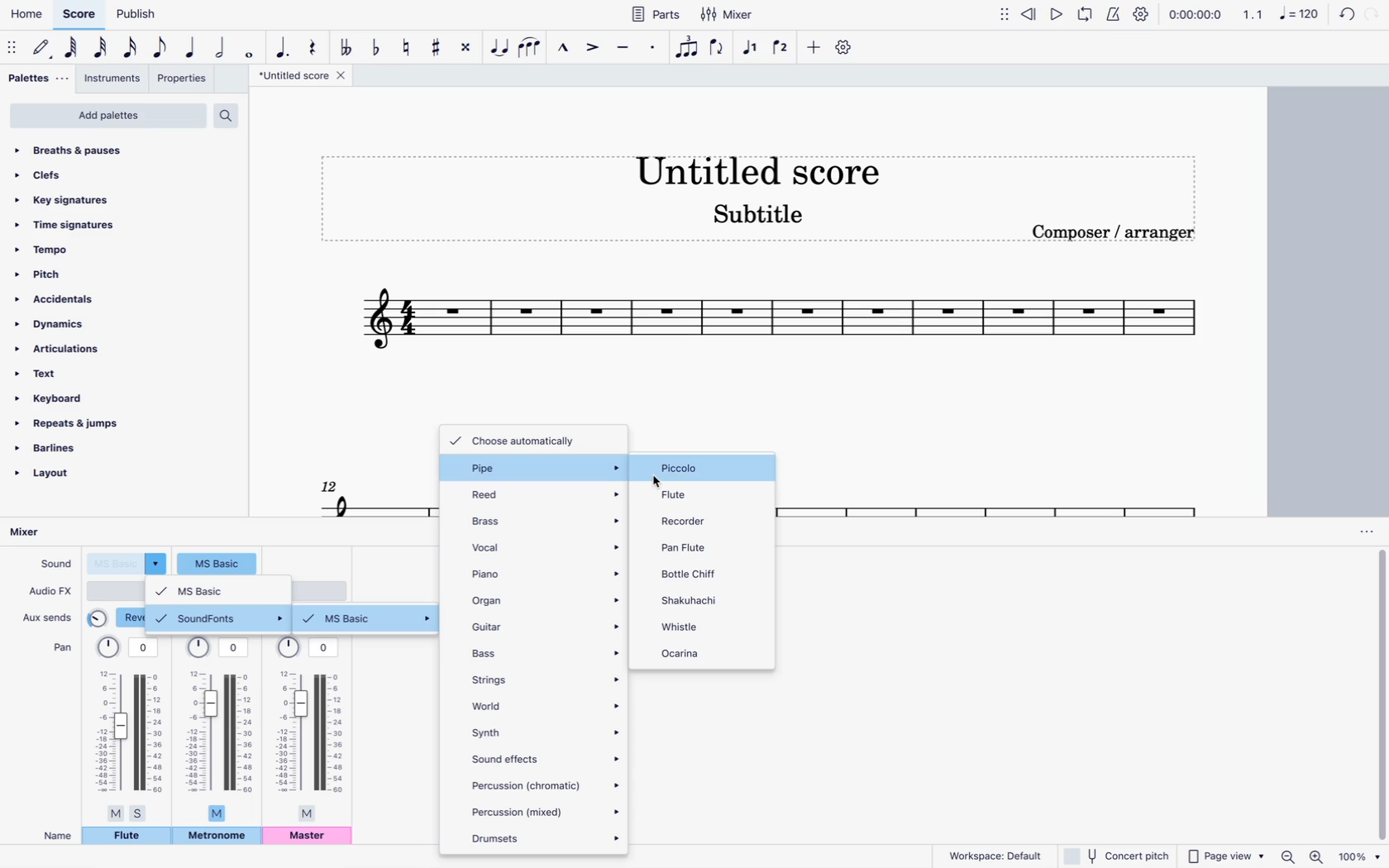 Image resolution: width=1389 pixels, height=868 pixels. I want to click on rewind, so click(1031, 12).